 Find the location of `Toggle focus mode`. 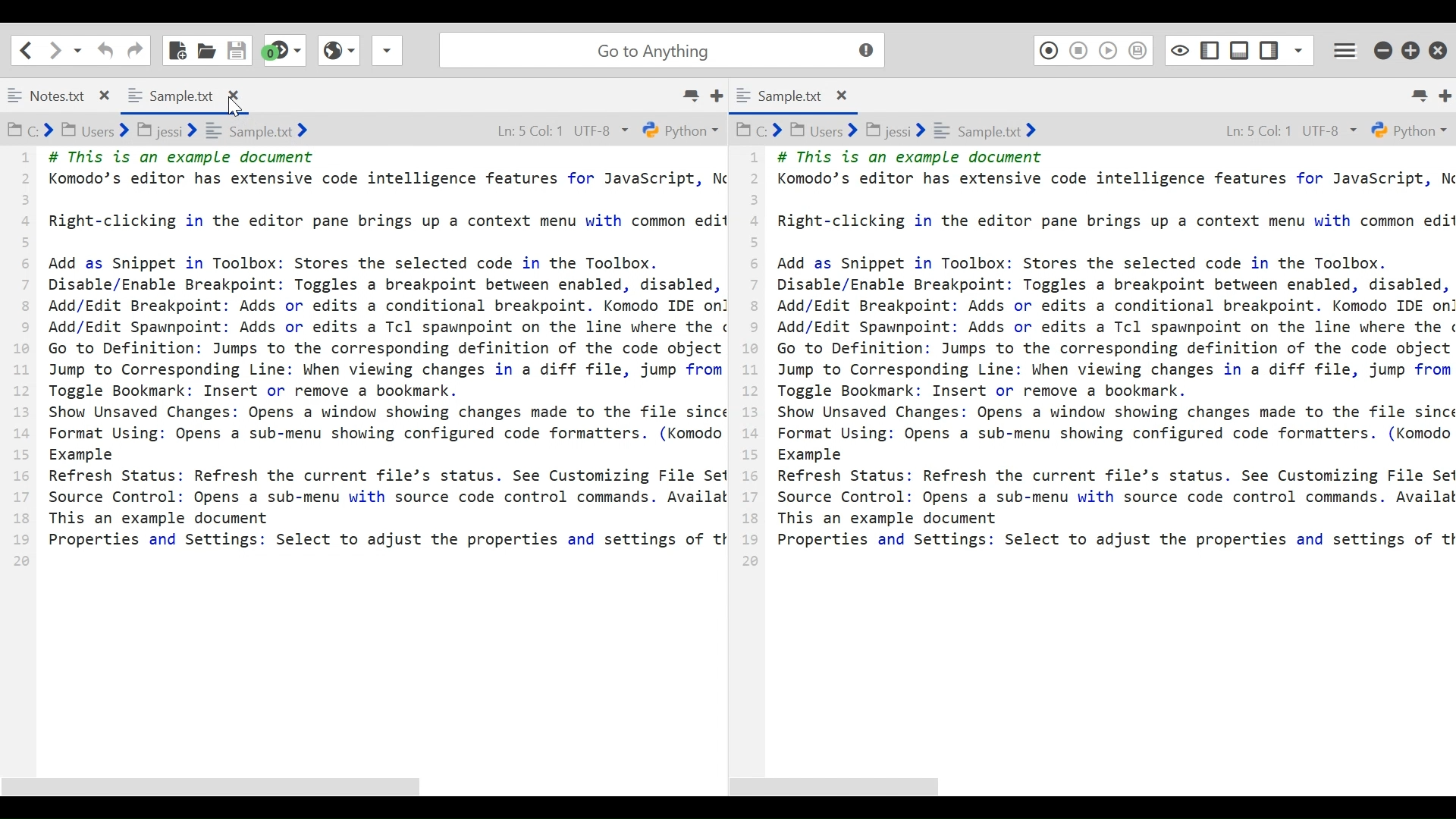

Toggle focus mode is located at coordinates (1180, 49).